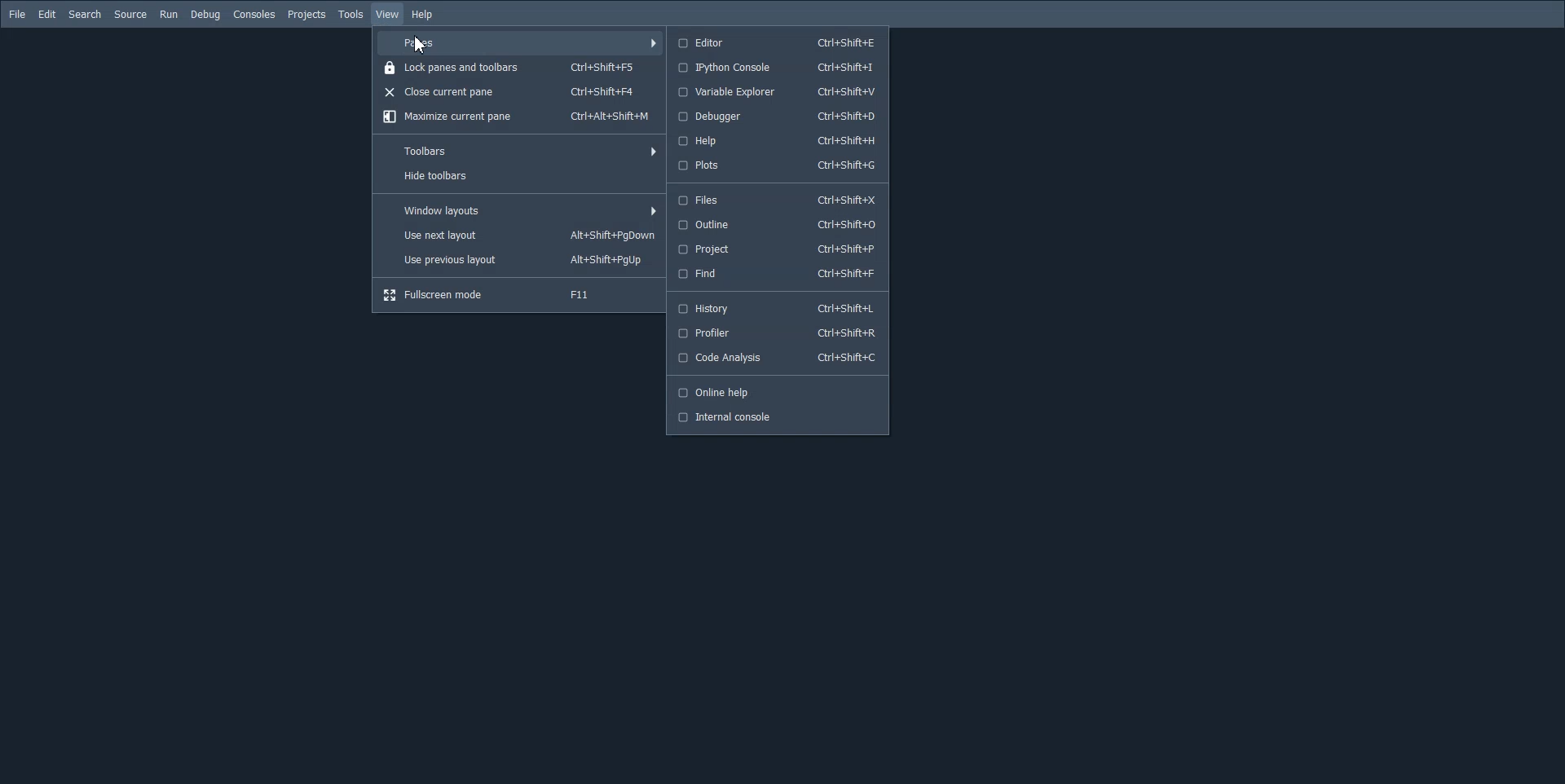  What do you see at coordinates (778, 333) in the screenshot?
I see `Profiler` at bounding box center [778, 333].